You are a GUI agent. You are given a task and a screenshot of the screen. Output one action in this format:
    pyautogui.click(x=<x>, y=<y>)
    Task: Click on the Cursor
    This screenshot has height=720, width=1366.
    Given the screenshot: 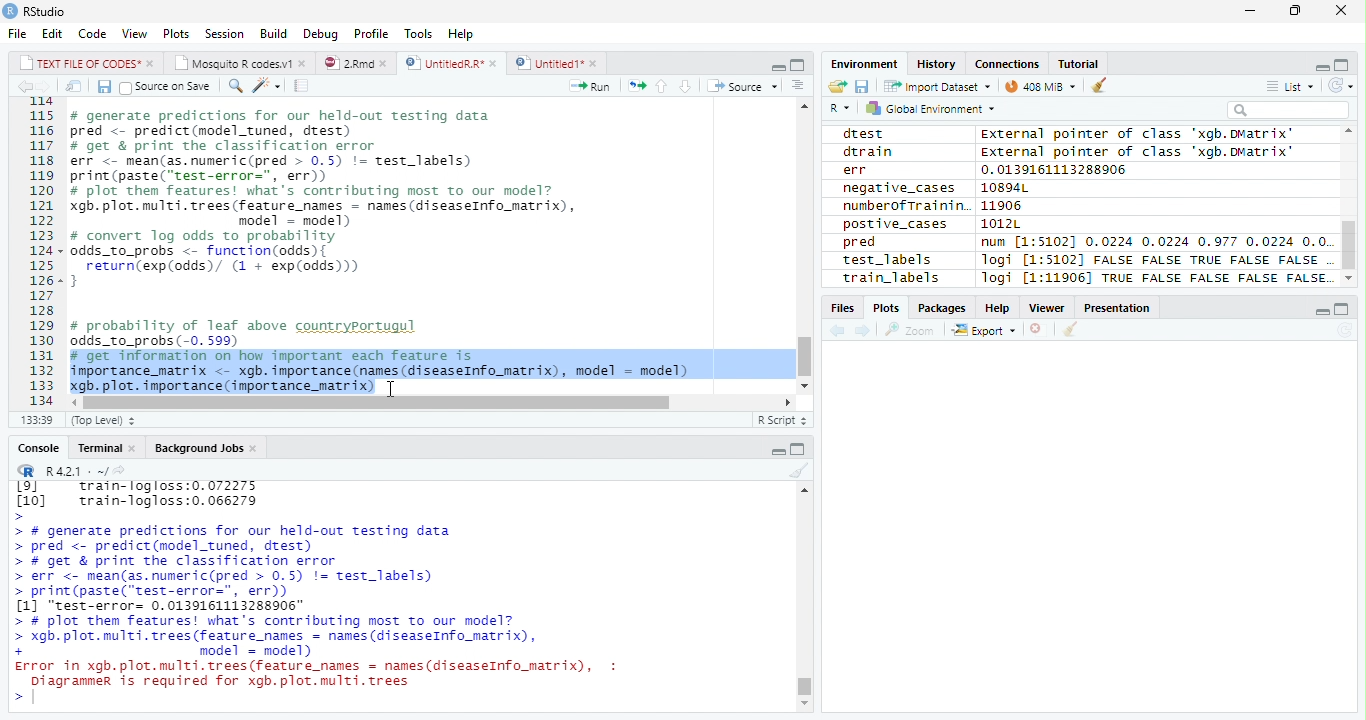 What is the action you would take?
    pyautogui.click(x=392, y=383)
    